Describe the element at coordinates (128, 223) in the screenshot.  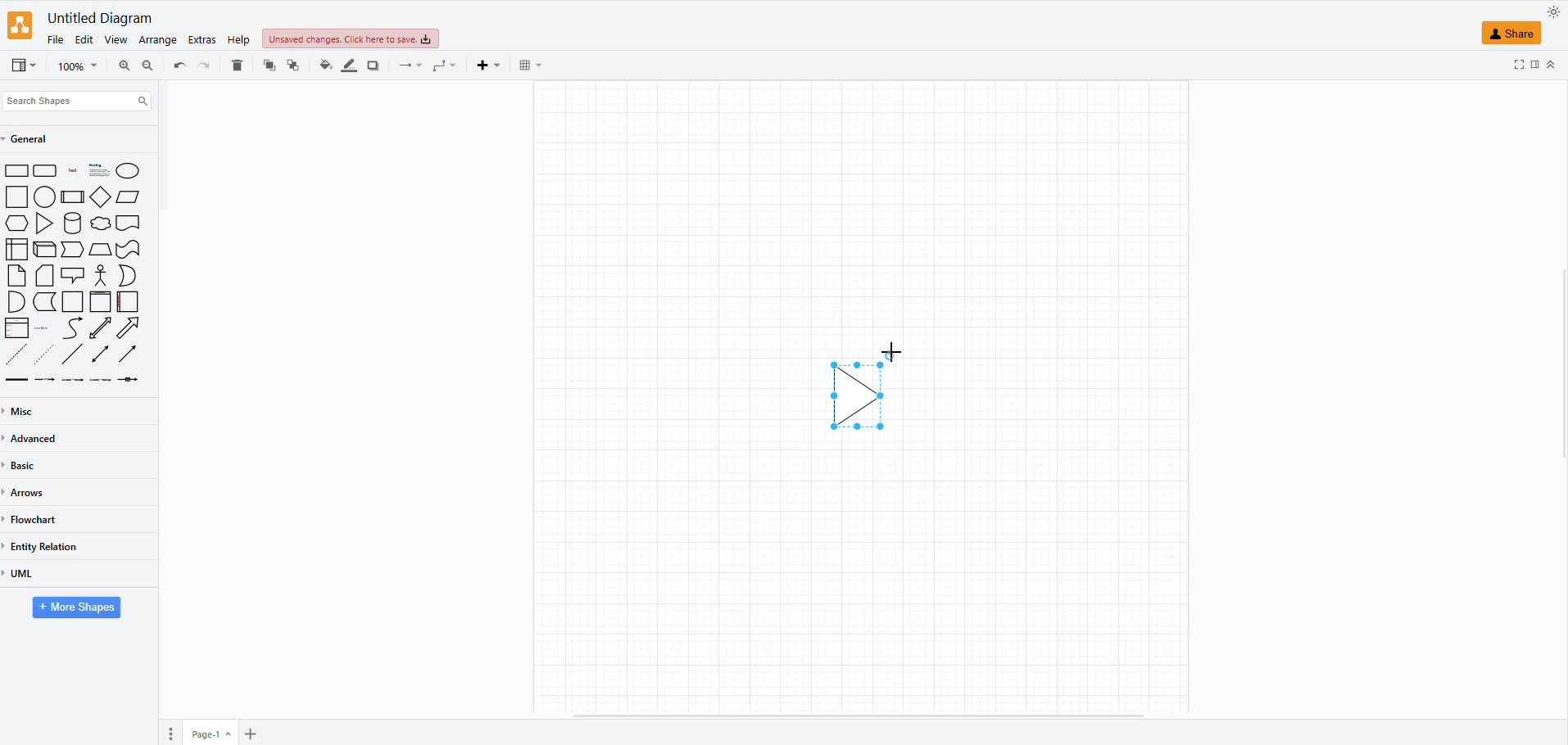
I see `Header` at that location.